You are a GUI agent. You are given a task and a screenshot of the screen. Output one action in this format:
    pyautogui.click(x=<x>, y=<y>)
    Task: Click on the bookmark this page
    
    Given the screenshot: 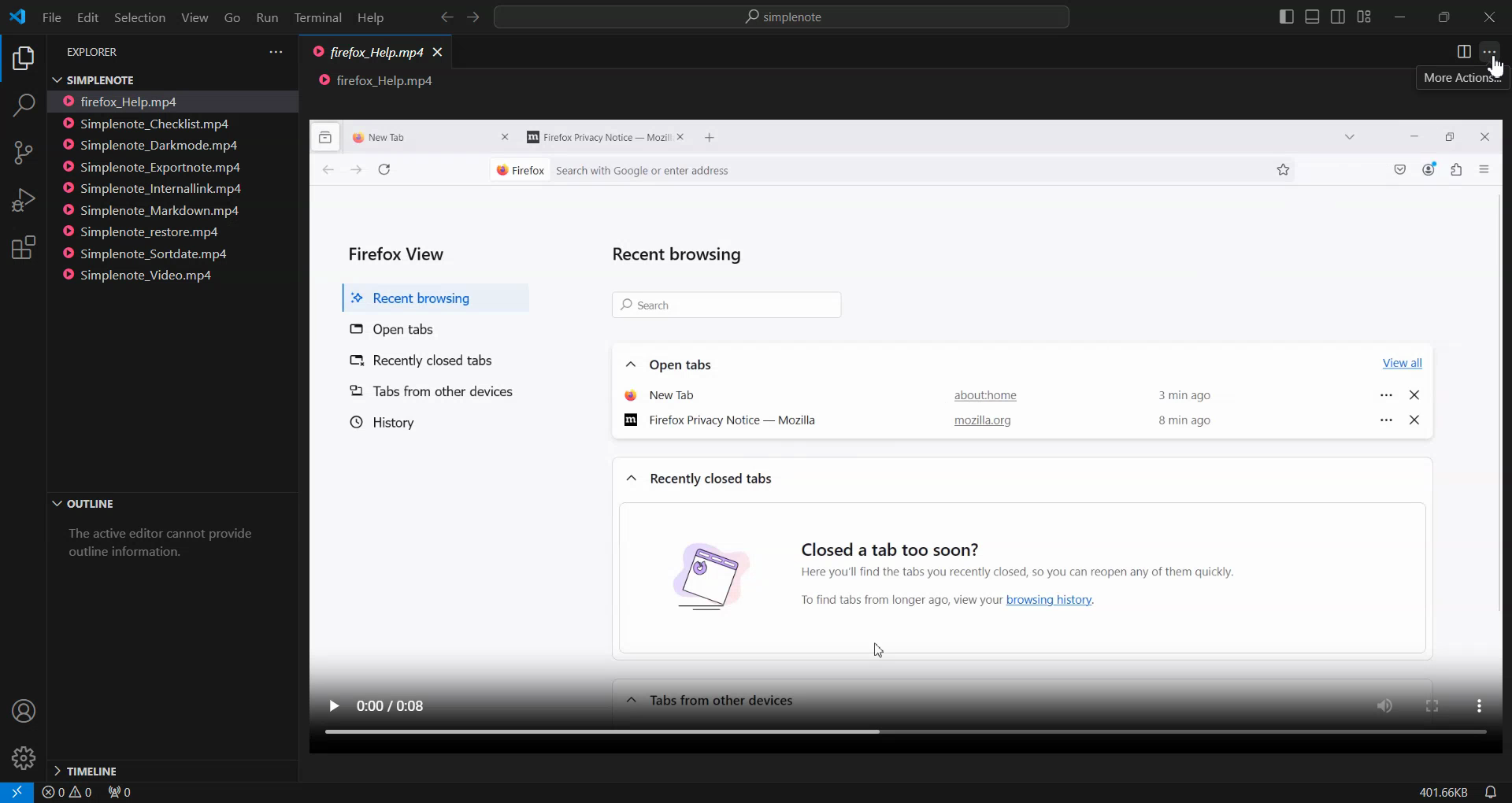 What is the action you would take?
    pyautogui.click(x=1284, y=169)
    